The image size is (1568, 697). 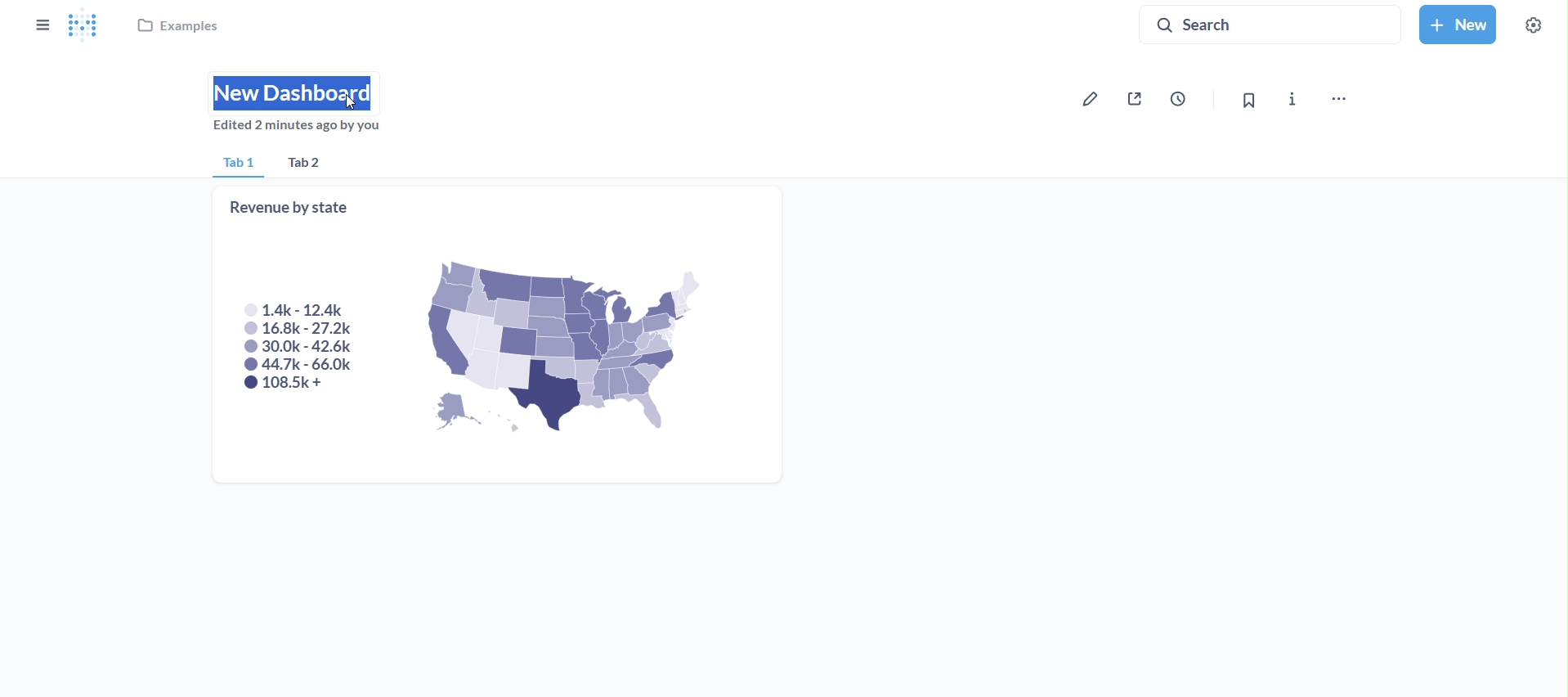 What do you see at coordinates (181, 29) in the screenshot?
I see `examples` at bounding box center [181, 29].